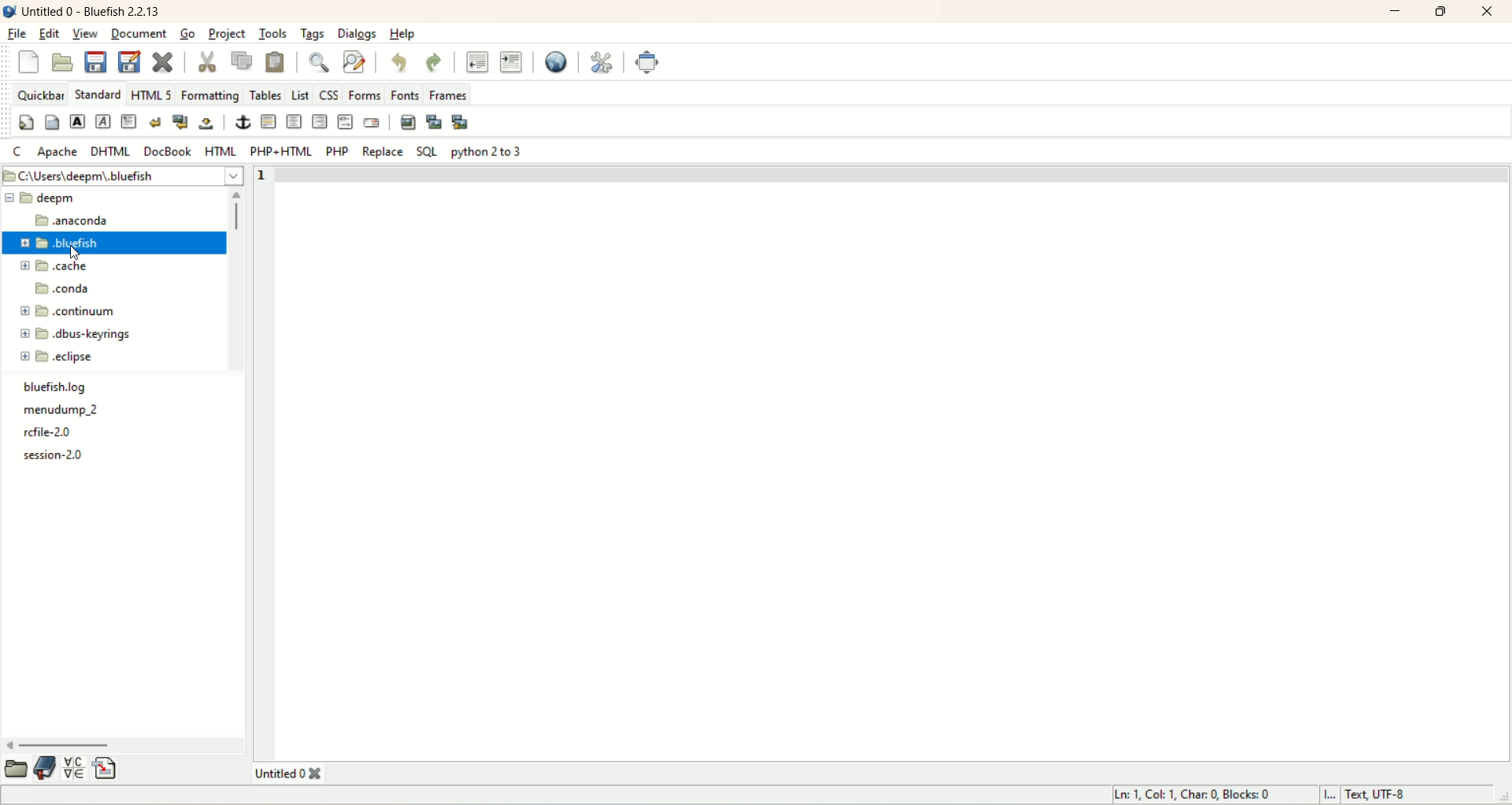  What do you see at coordinates (54, 265) in the screenshot?
I see `cache` at bounding box center [54, 265].